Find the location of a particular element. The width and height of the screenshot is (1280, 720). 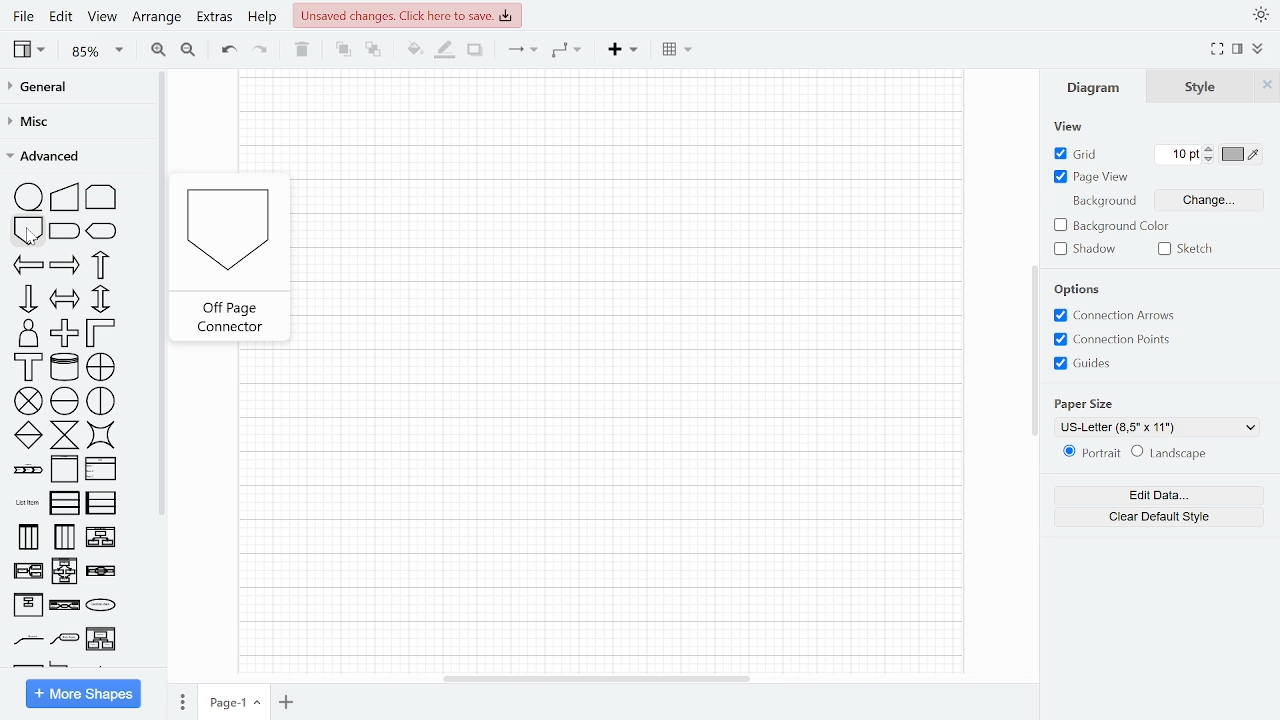

Undo is located at coordinates (227, 52).